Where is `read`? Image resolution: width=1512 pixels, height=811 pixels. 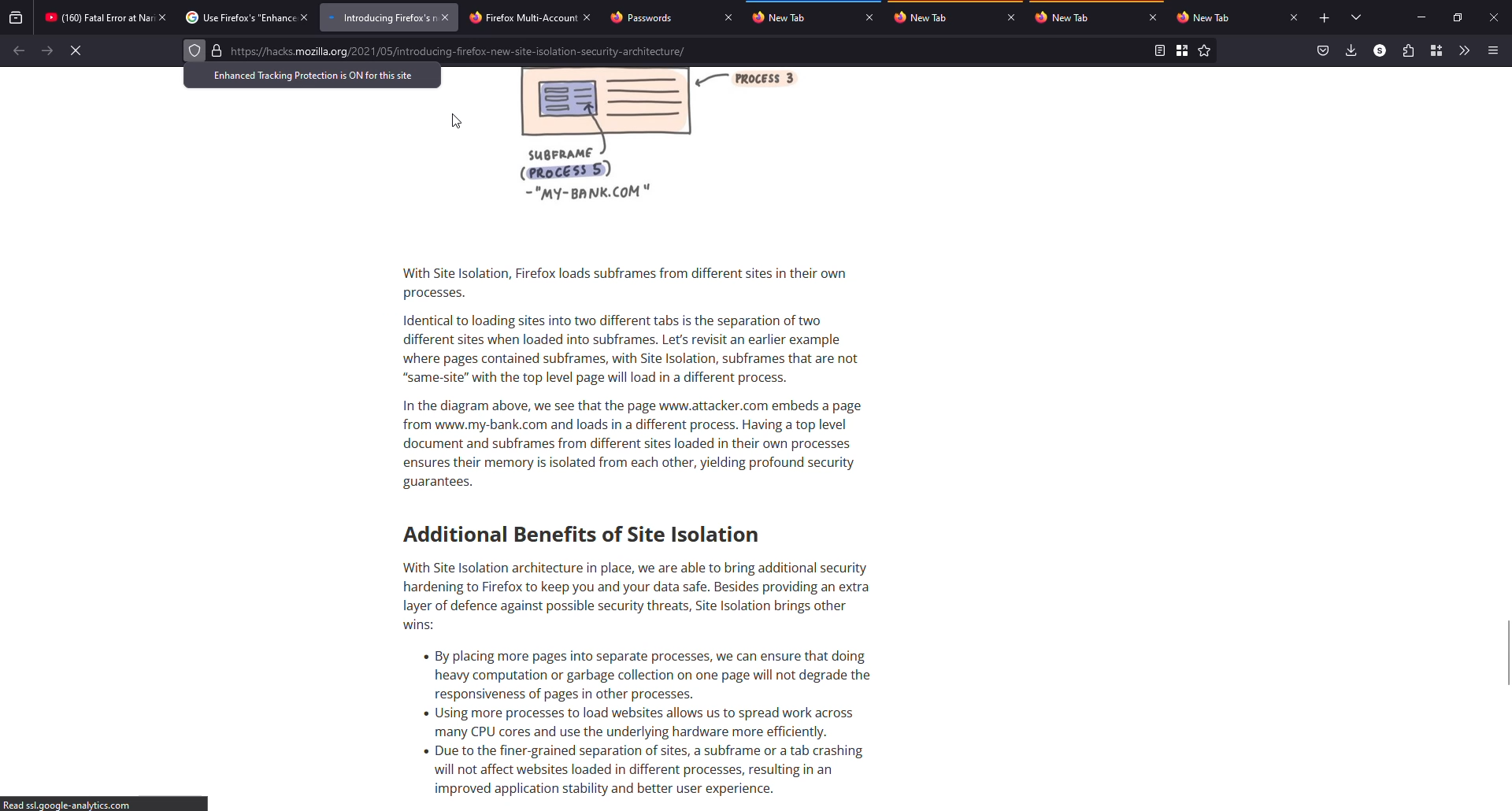
read is located at coordinates (1158, 50).